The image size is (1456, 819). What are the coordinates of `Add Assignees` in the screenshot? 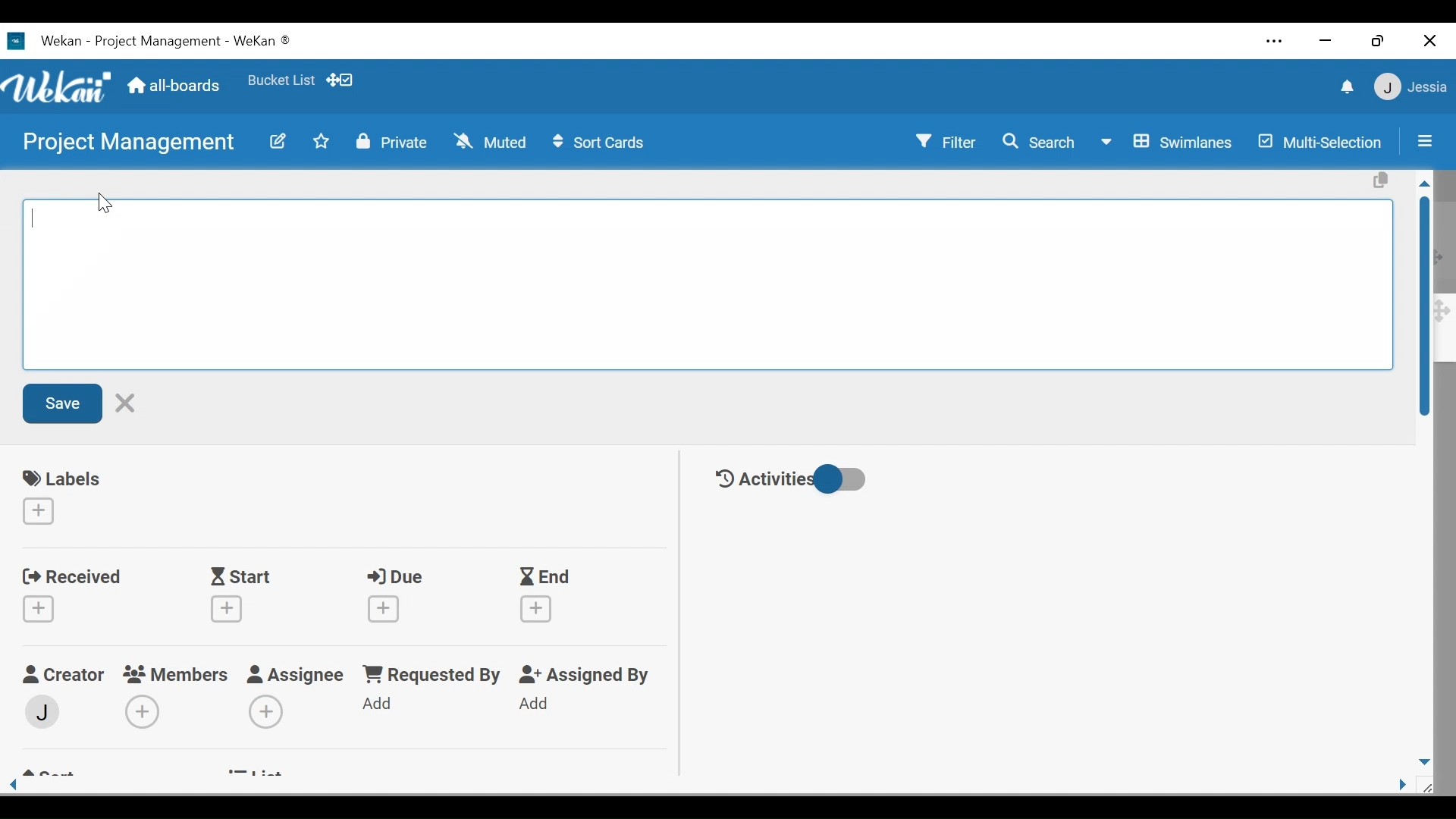 It's located at (268, 711).